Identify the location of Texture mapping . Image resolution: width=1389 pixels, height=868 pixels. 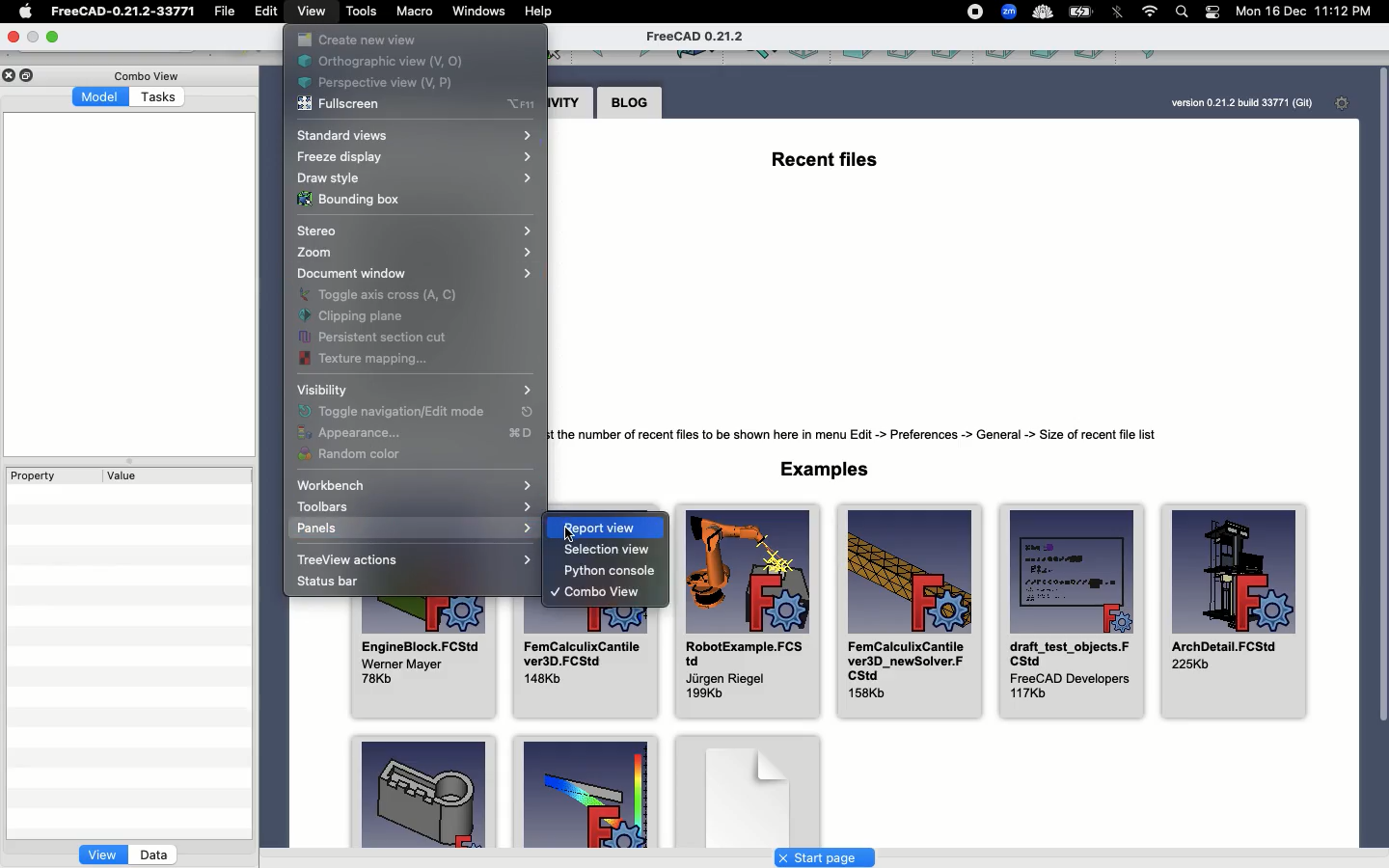
(369, 359).